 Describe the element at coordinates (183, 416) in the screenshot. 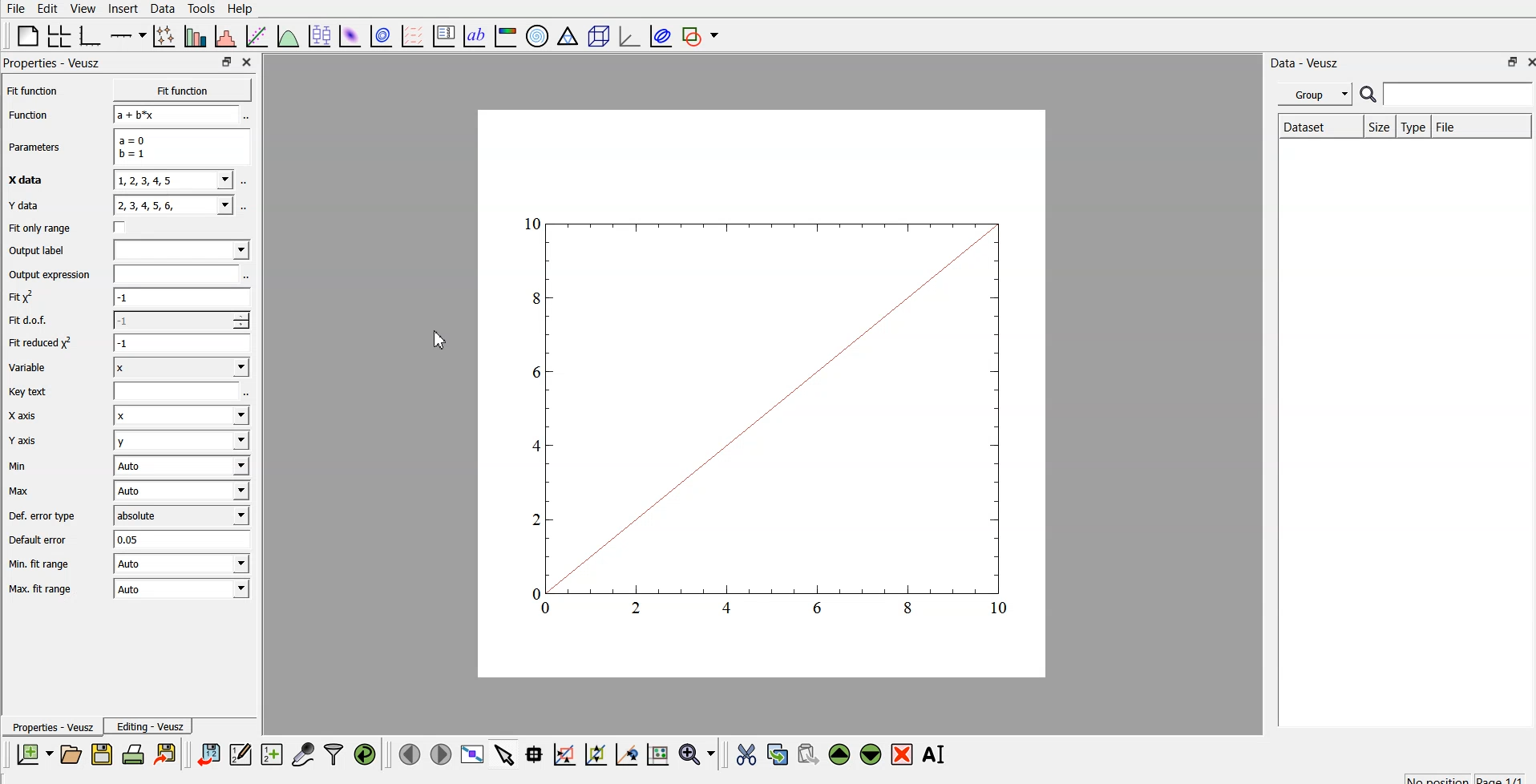

I see `` at that location.